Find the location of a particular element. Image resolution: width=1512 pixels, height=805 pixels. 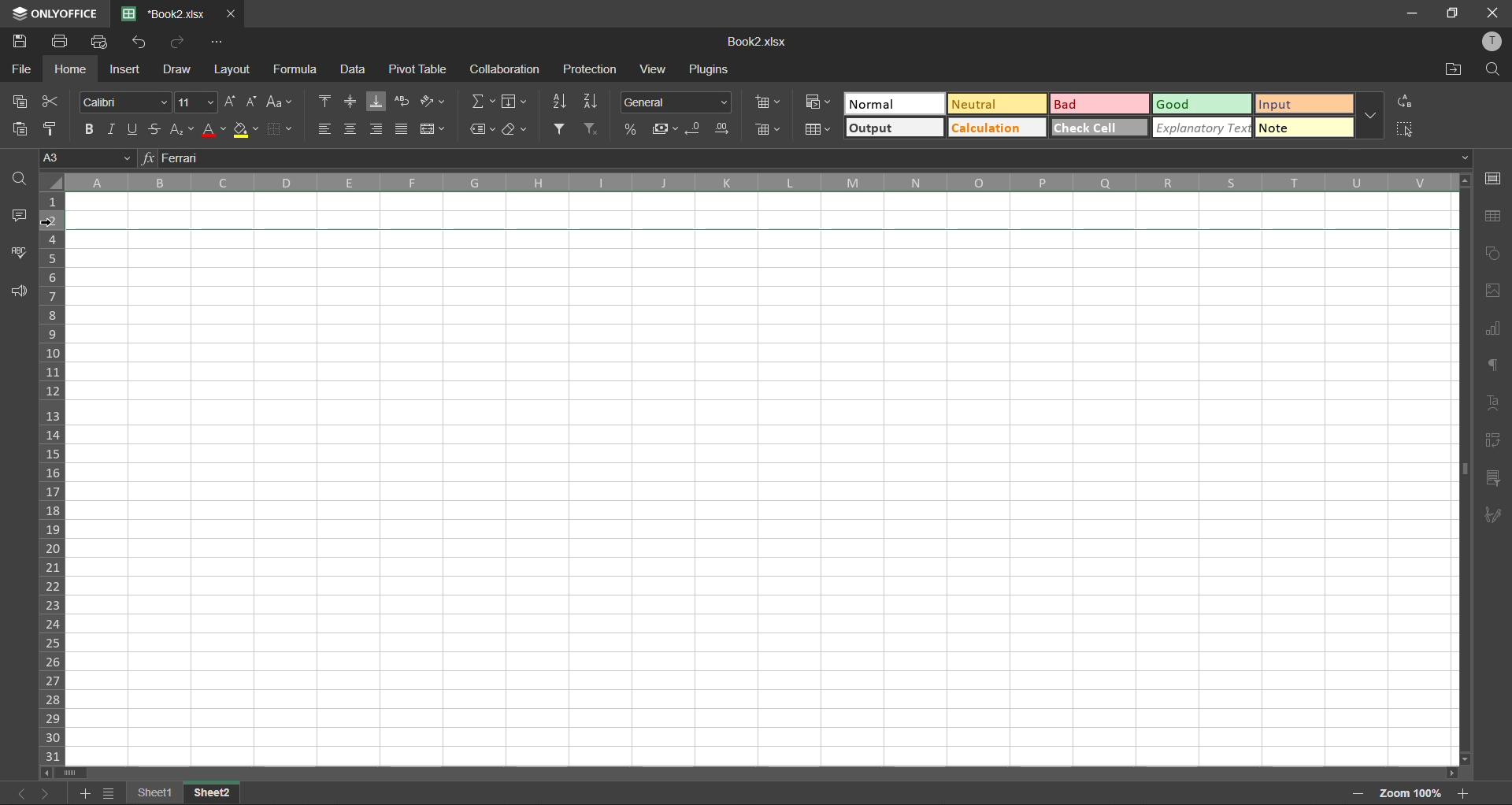

formula bar is located at coordinates (813, 160).